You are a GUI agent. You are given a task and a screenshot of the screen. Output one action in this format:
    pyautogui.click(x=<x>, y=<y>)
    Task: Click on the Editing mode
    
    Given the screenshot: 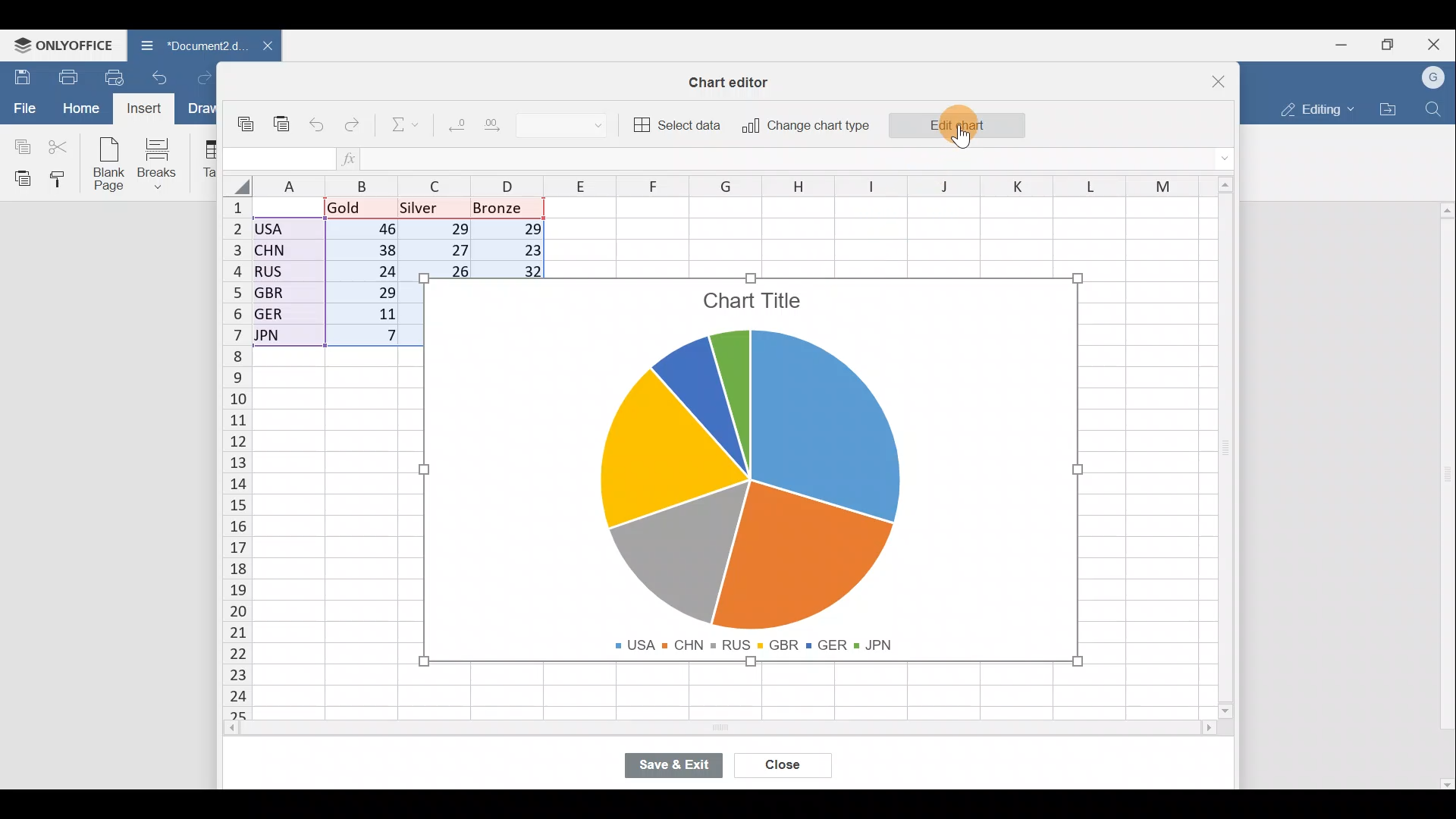 What is the action you would take?
    pyautogui.click(x=1316, y=106)
    